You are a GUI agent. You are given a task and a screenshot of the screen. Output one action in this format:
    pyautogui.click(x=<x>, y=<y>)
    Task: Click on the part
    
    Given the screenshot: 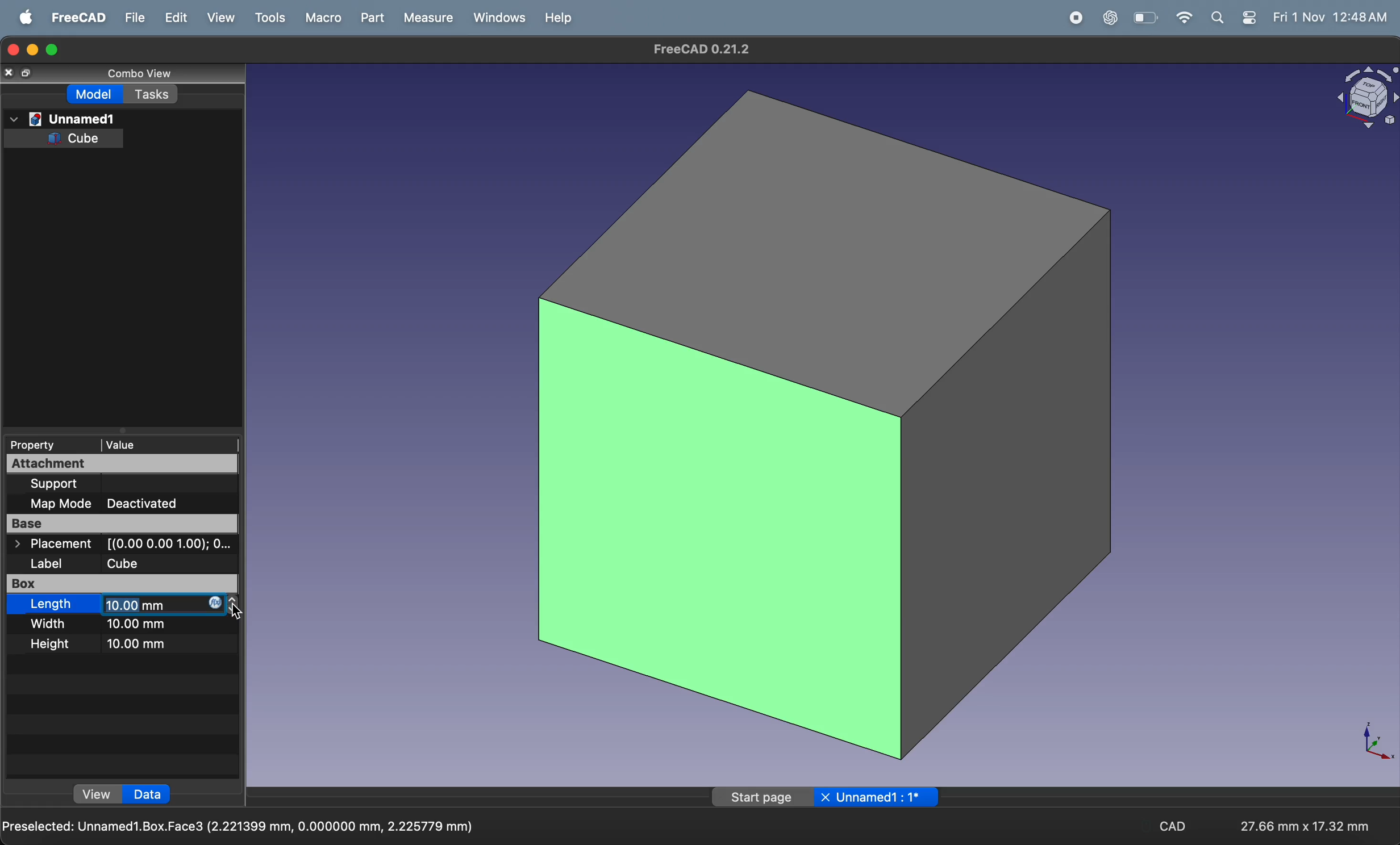 What is the action you would take?
    pyautogui.click(x=367, y=17)
    